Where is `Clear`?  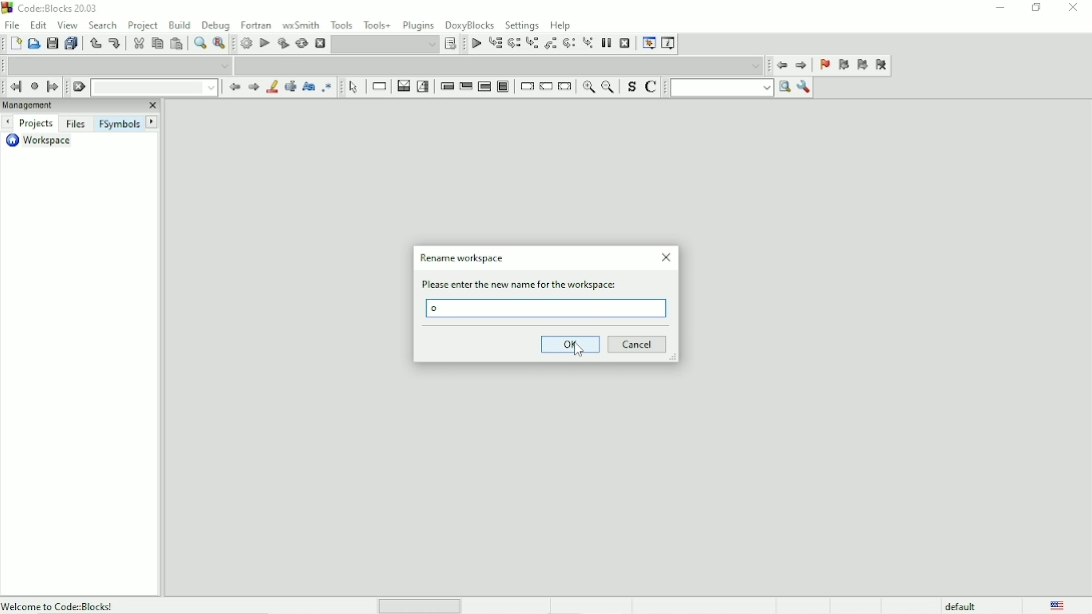
Clear is located at coordinates (79, 87).